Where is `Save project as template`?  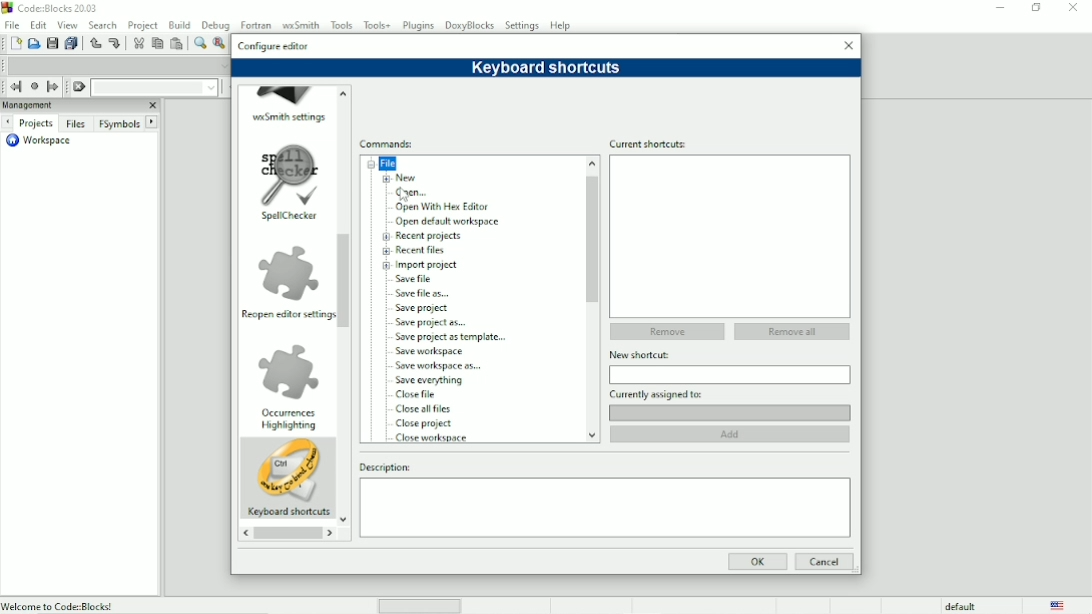
Save project as template is located at coordinates (456, 337).